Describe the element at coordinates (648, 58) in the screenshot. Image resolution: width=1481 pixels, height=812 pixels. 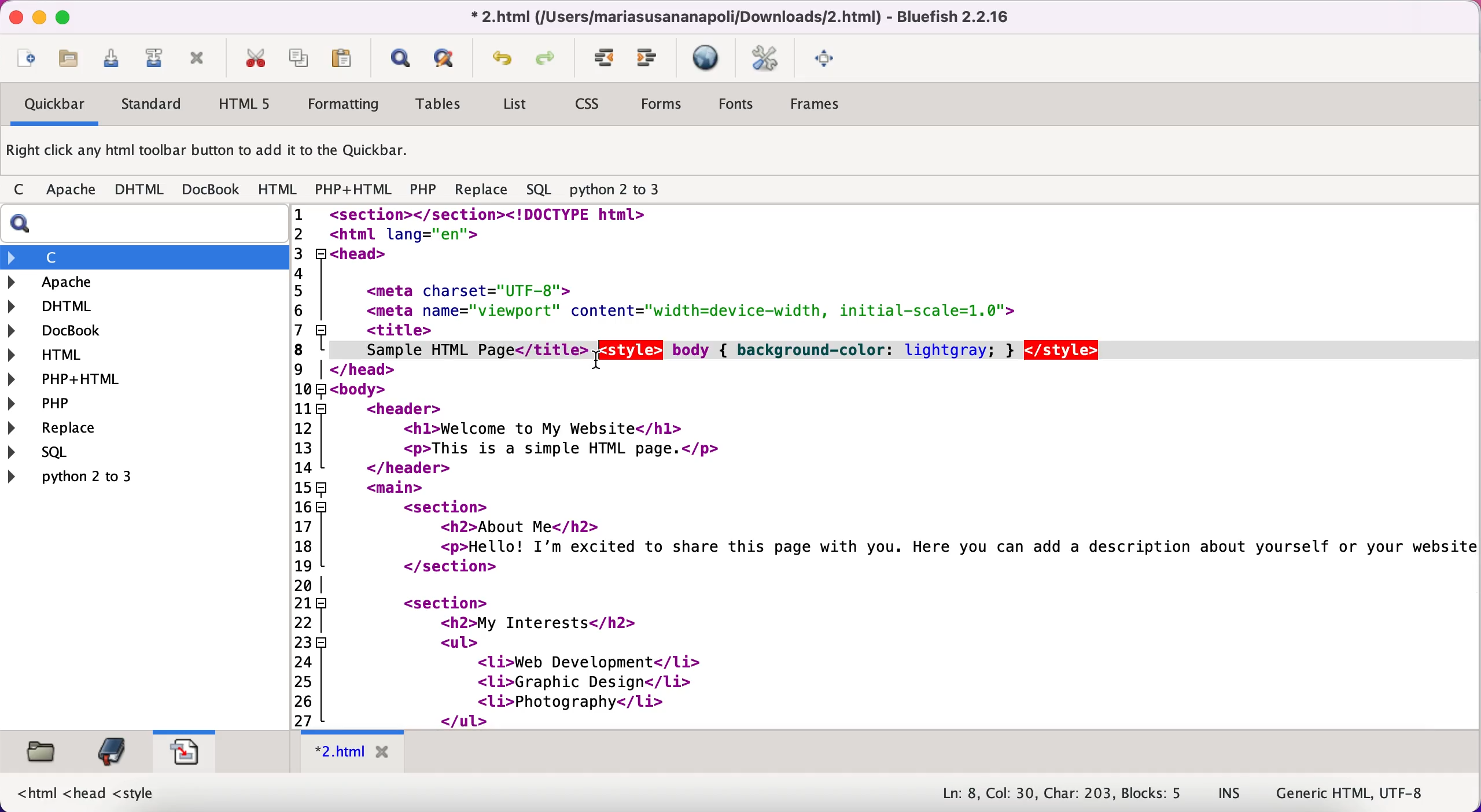
I see `unindent` at that location.